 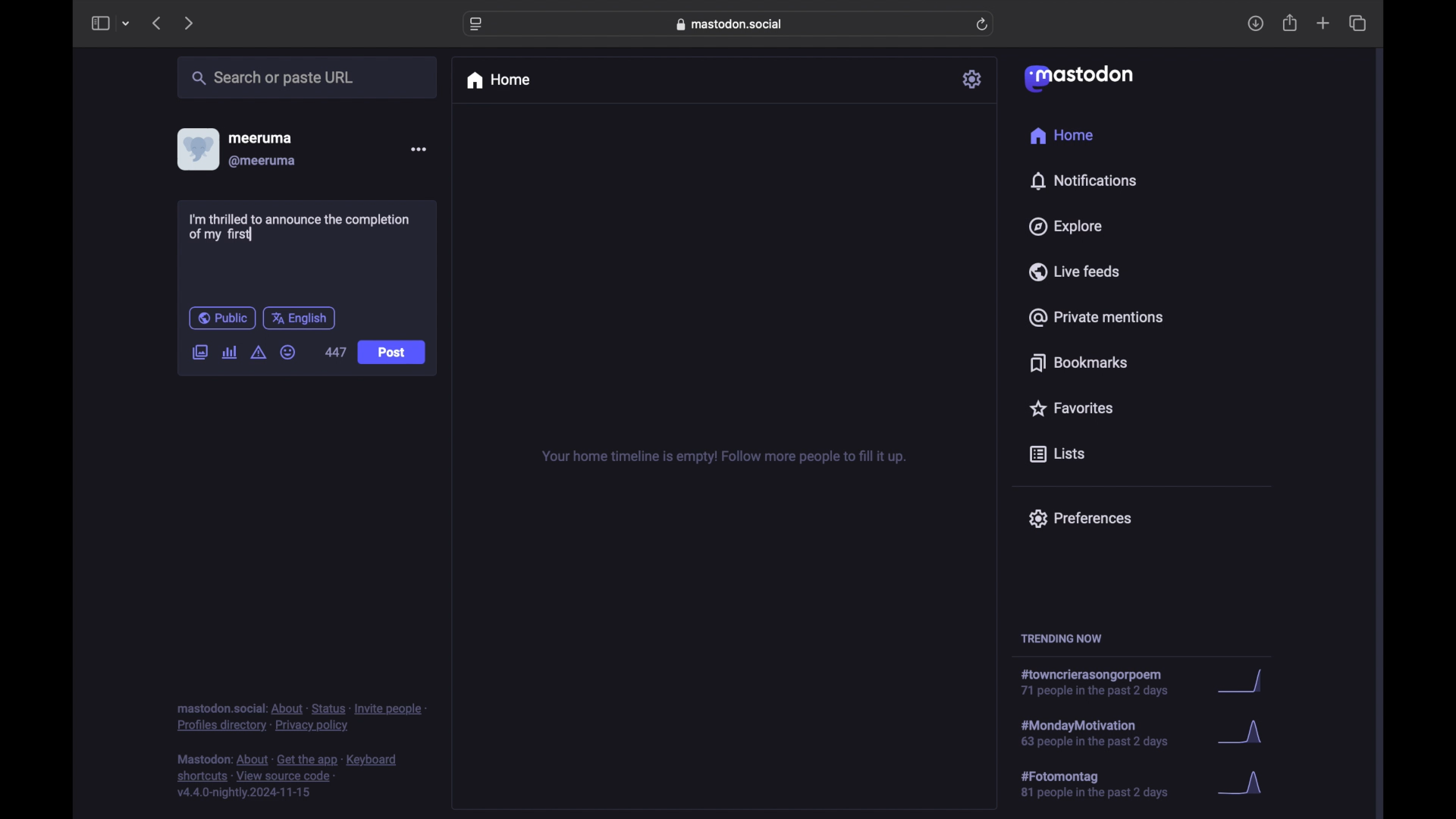 I want to click on 447, so click(x=336, y=352).